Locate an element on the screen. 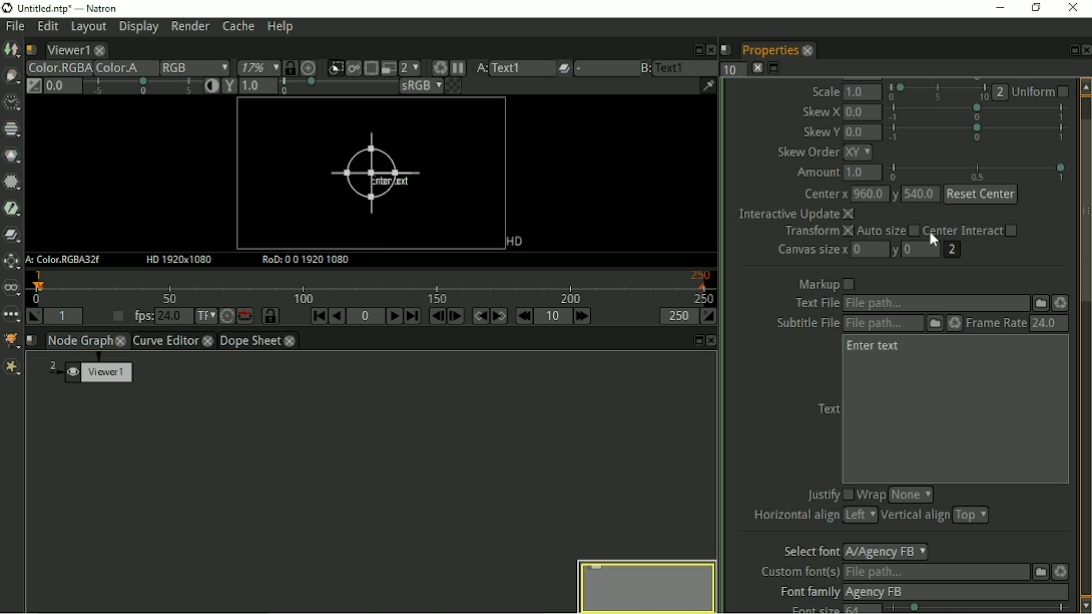 The width and height of the screenshot is (1092, 614). 1.0 is located at coordinates (863, 174).